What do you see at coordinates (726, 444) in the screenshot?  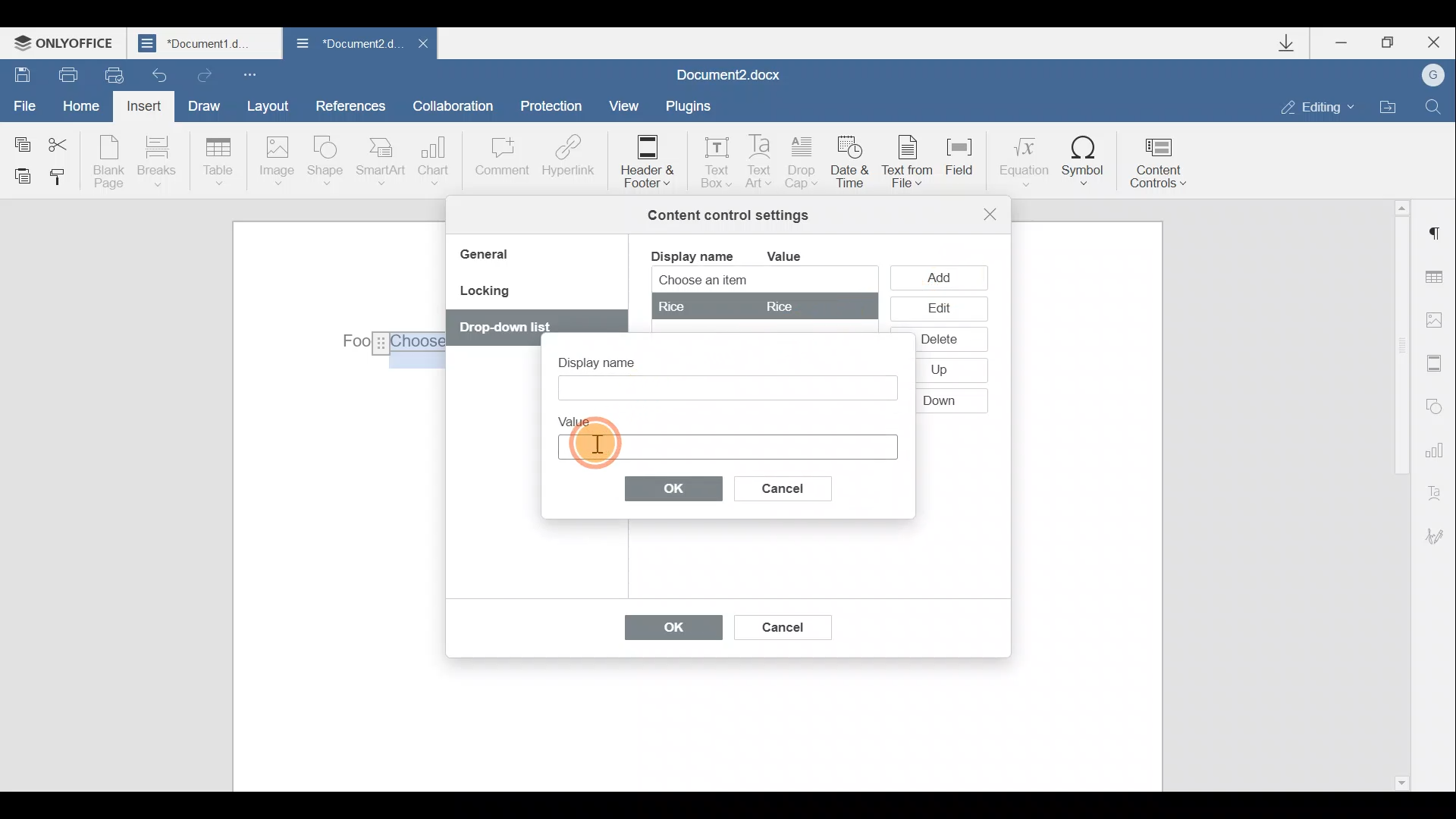 I see `Text box` at bounding box center [726, 444].